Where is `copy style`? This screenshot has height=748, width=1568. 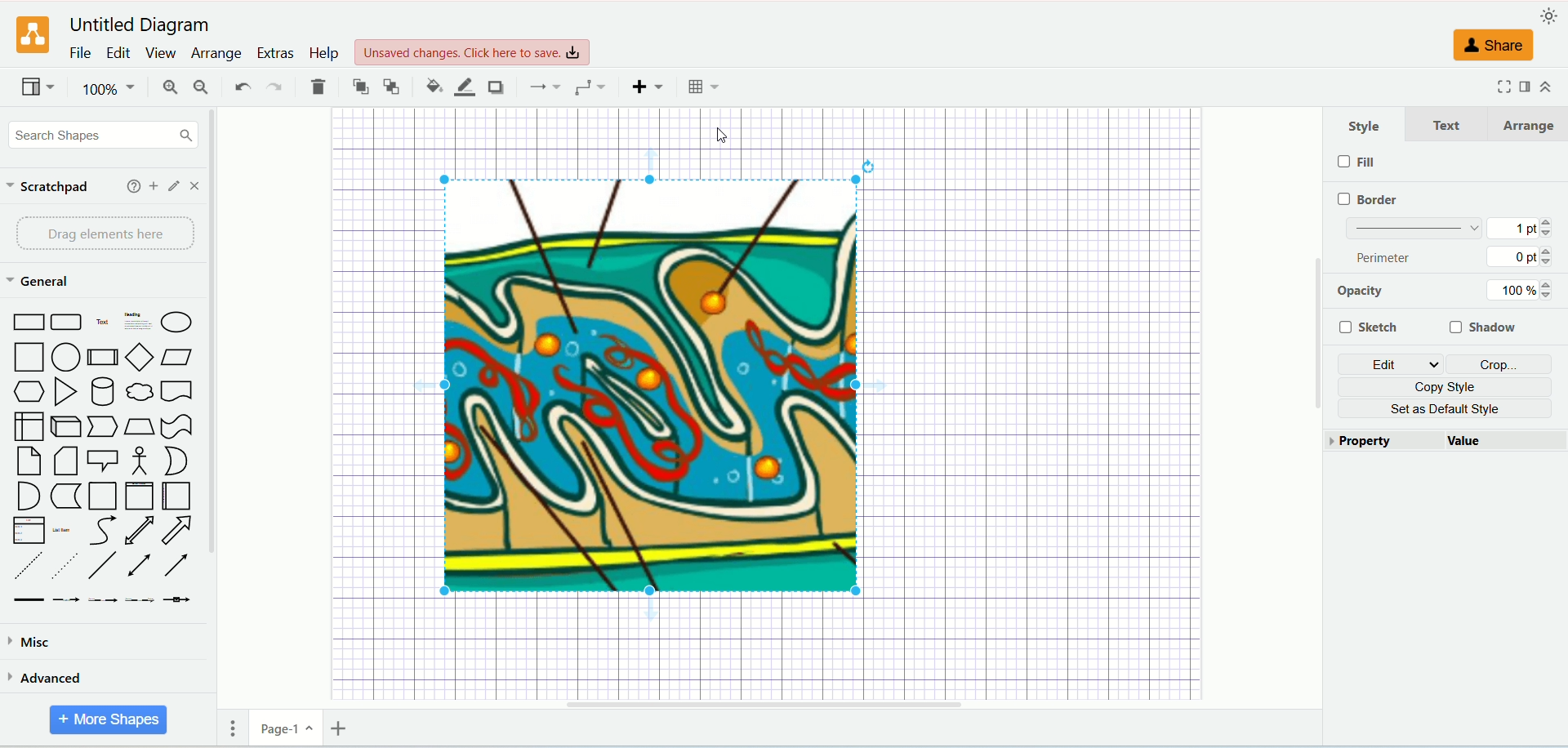
copy style is located at coordinates (1447, 387).